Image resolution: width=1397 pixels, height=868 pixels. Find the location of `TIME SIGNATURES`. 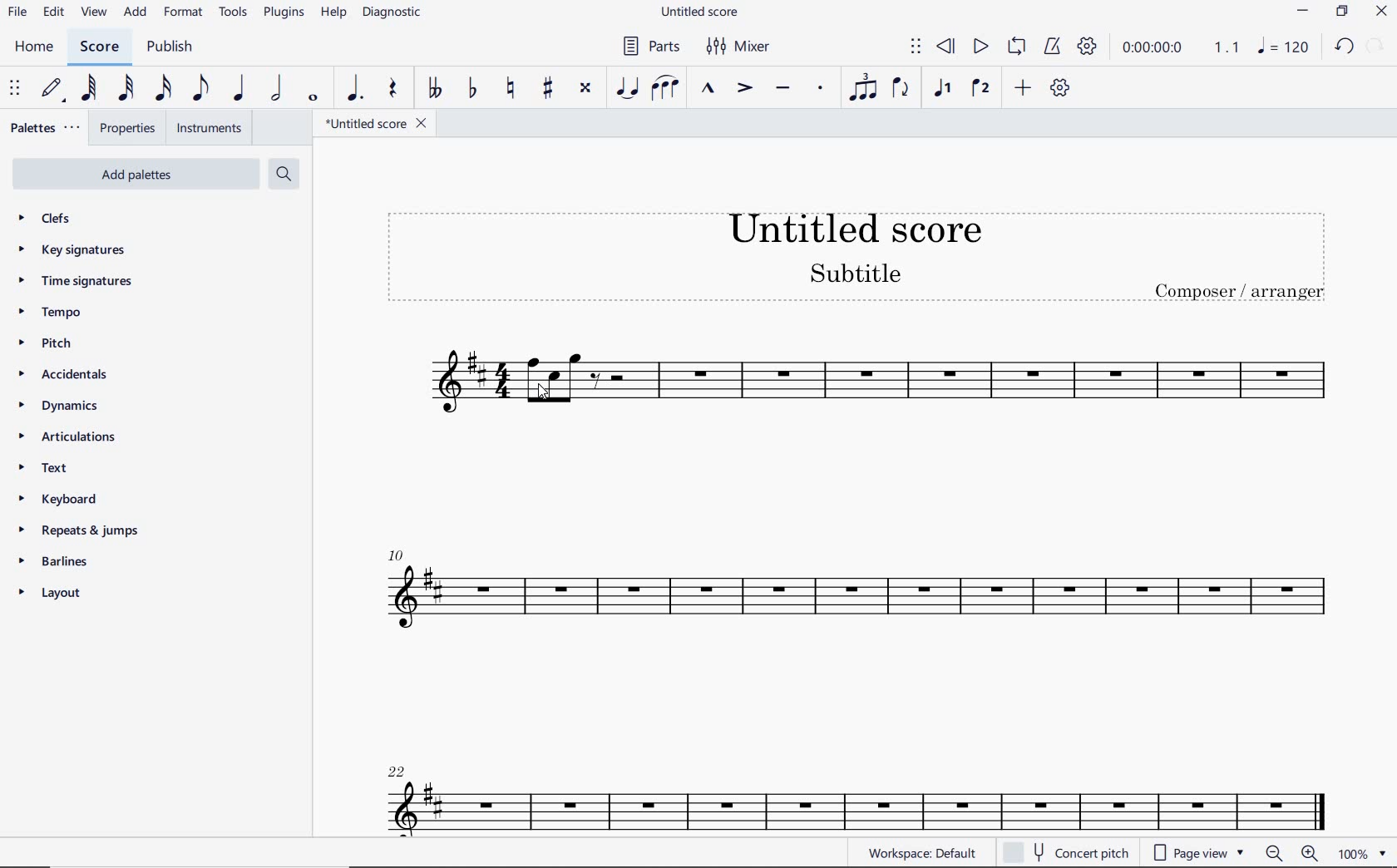

TIME SIGNATURES is located at coordinates (86, 282).